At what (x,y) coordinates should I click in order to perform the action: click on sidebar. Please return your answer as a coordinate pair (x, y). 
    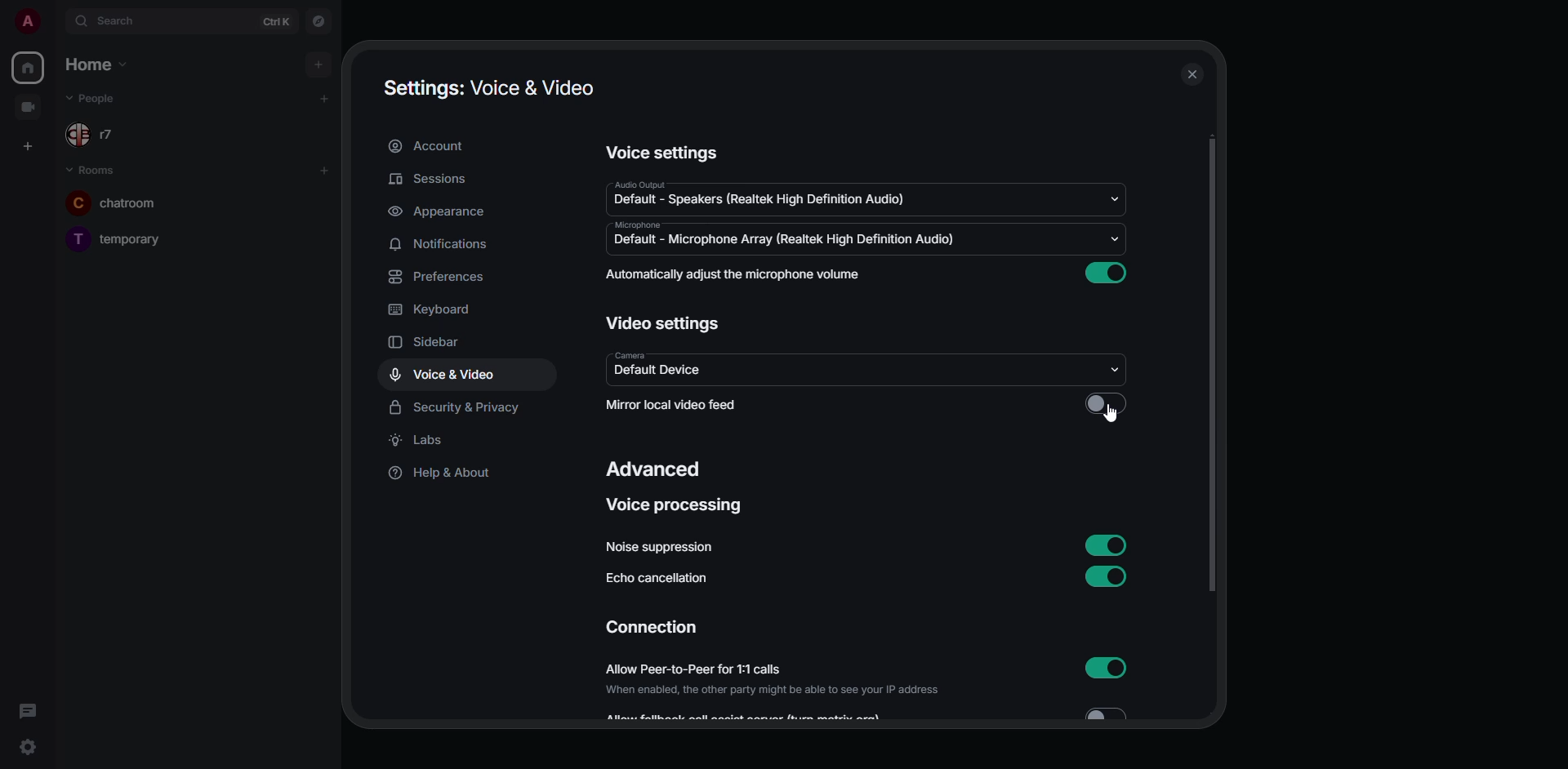
    Looking at the image, I should click on (433, 342).